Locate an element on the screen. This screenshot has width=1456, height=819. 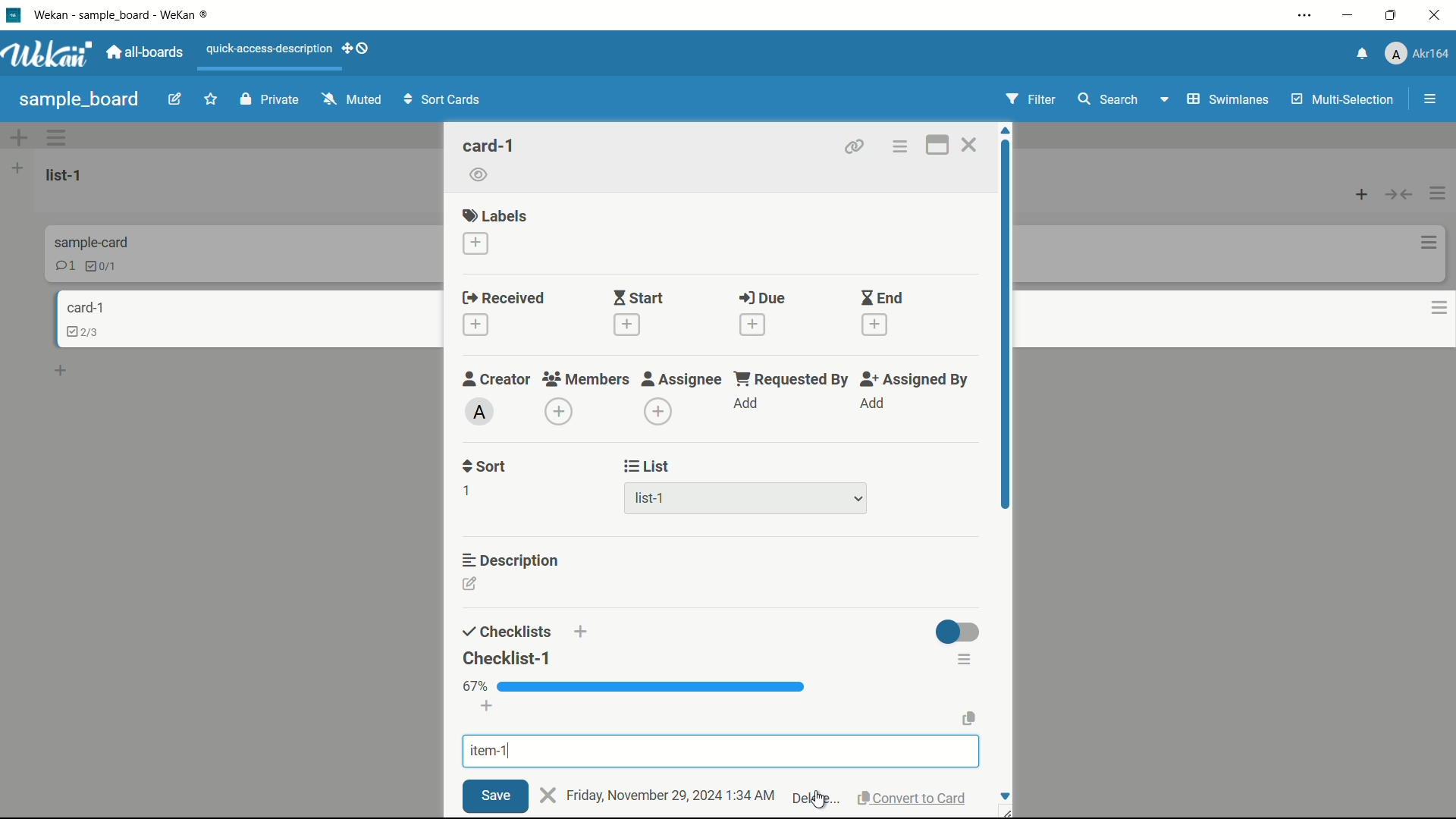
67% is located at coordinates (475, 687).